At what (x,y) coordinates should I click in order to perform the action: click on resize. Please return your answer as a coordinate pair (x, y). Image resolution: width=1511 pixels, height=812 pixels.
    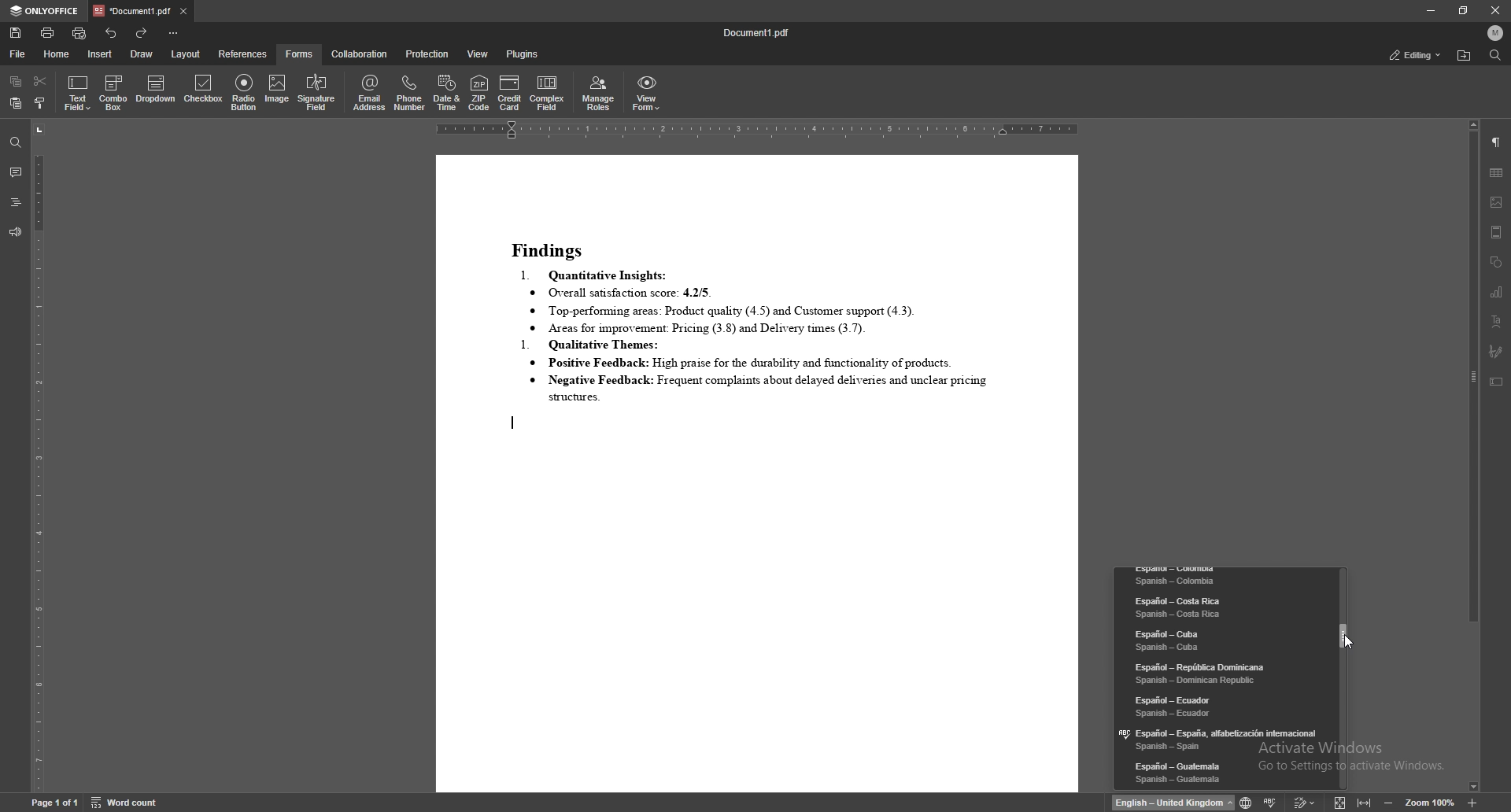
    Looking at the image, I should click on (1463, 10).